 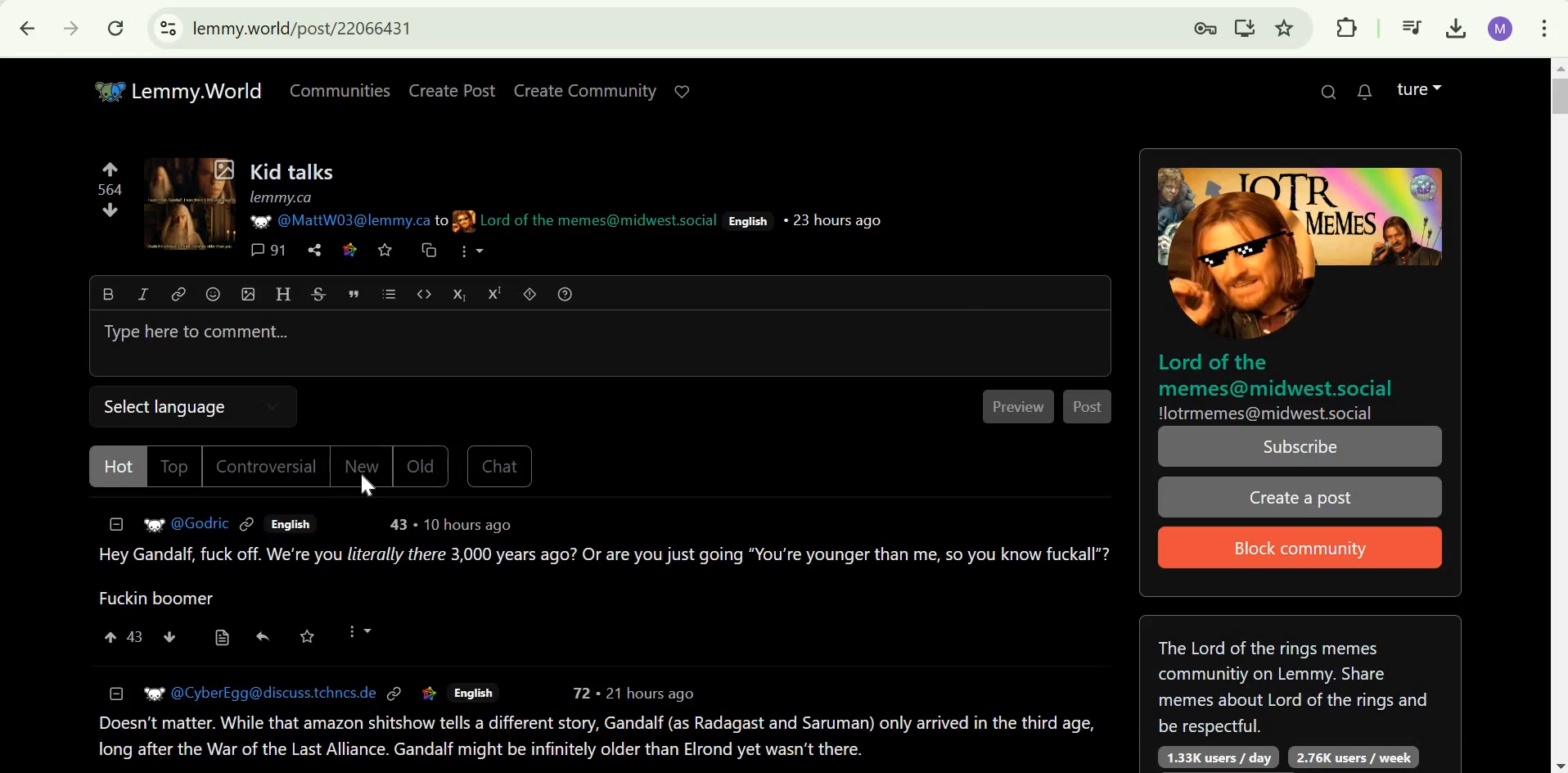 What do you see at coordinates (311, 29) in the screenshot?
I see `lemmy.world/post/22066431` at bounding box center [311, 29].